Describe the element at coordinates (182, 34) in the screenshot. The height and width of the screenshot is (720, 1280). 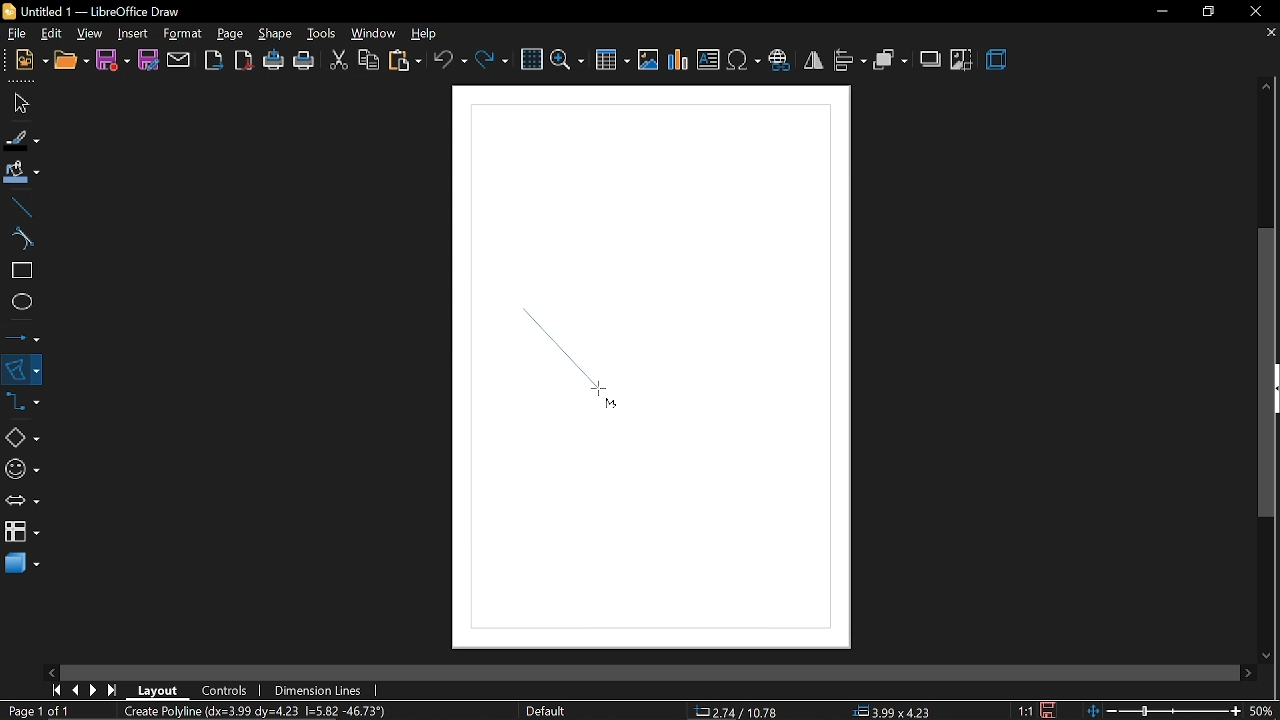
I see `fromat` at that location.